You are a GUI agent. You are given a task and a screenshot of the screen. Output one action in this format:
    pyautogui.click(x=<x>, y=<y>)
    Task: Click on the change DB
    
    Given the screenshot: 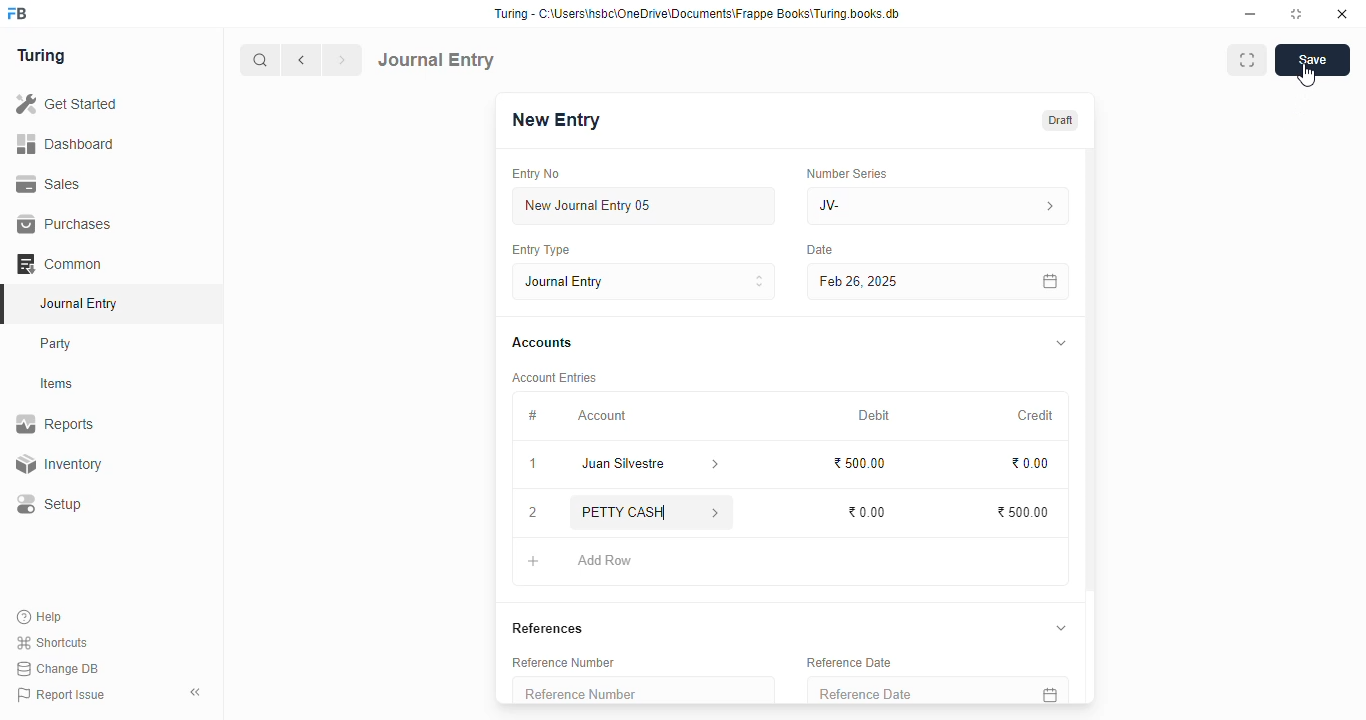 What is the action you would take?
    pyautogui.click(x=58, y=669)
    